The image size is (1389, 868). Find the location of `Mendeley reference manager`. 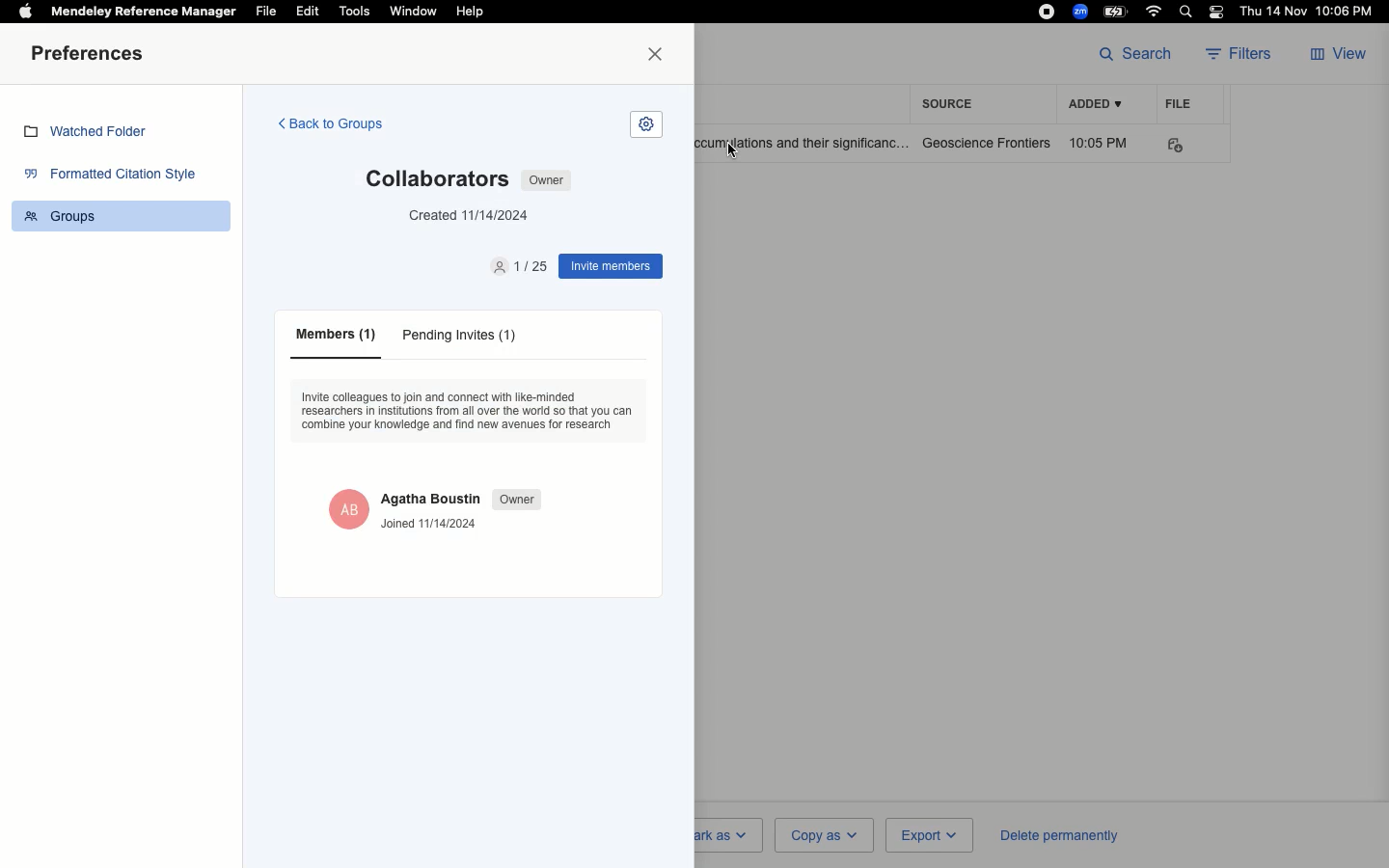

Mendeley reference manager is located at coordinates (145, 12).